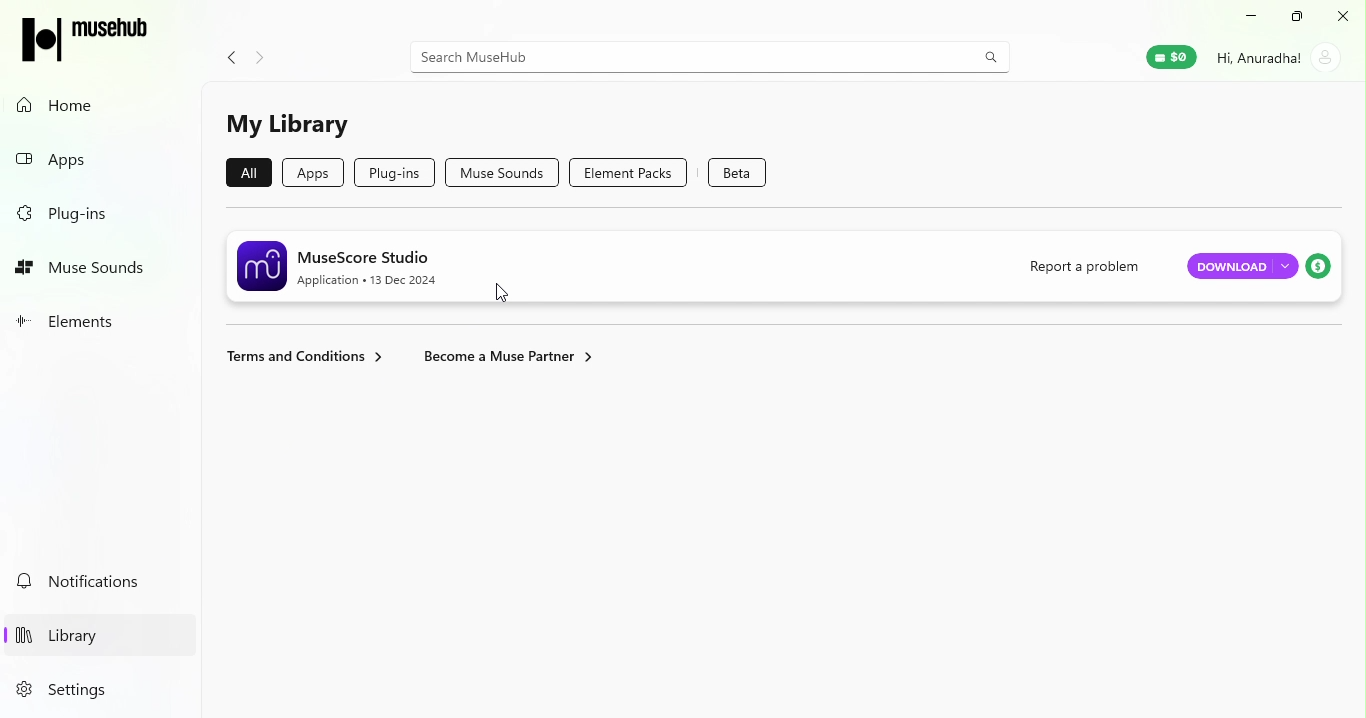 Image resolution: width=1366 pixels, height=718 pixels. Describe the element at coordinates (393, 171) in the screenshot. I see `Plug-ins` at that location.